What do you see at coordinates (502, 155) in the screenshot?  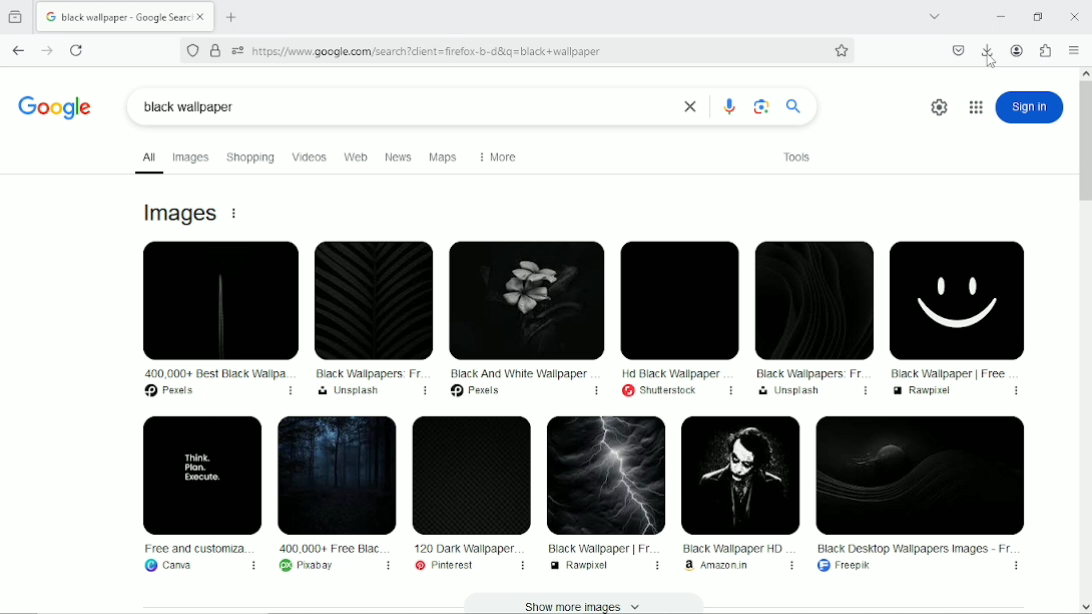 I see `More` at bounding box center [502, 155].